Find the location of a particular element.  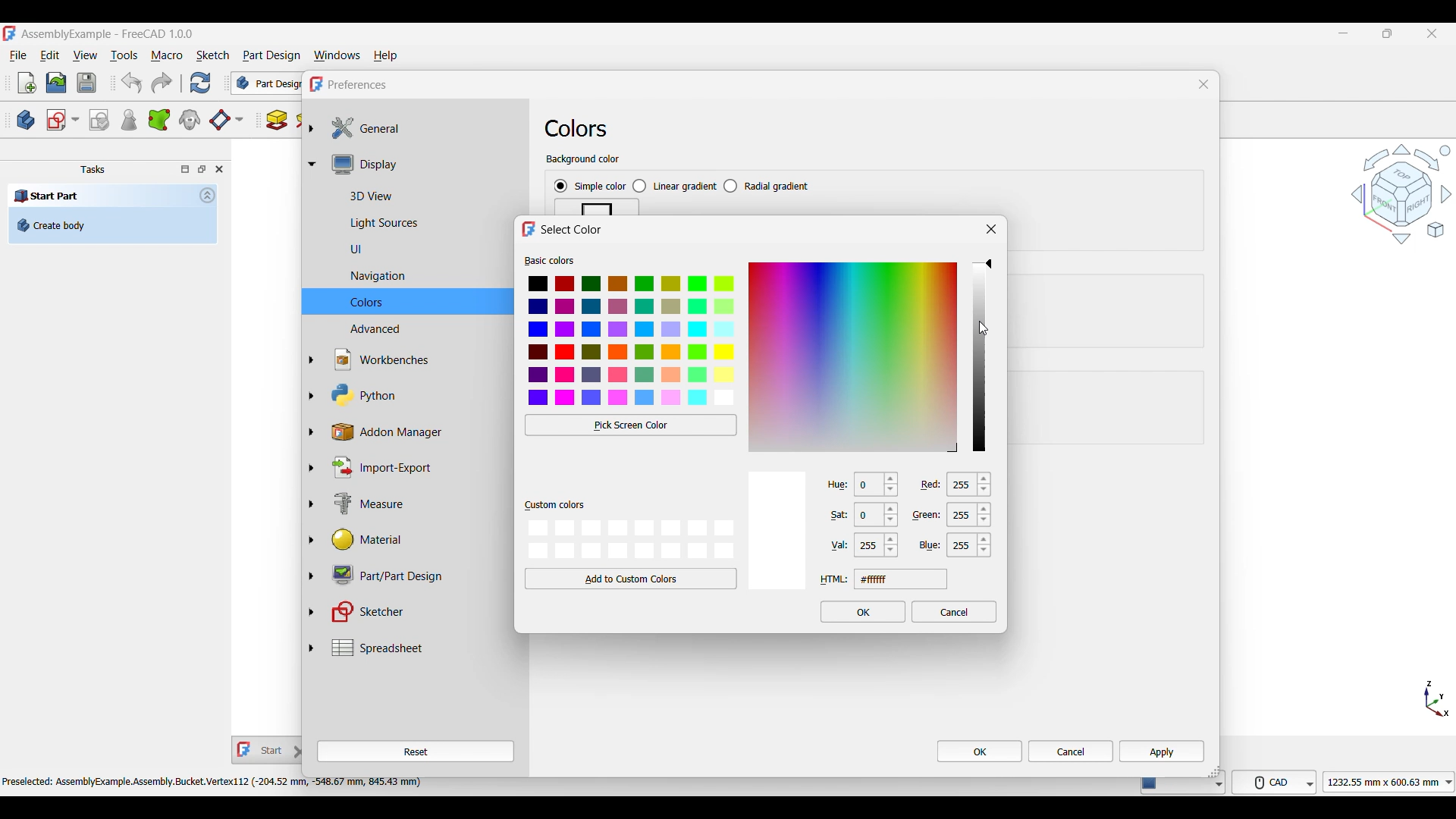

Pad is located at coordinates (277, 120).